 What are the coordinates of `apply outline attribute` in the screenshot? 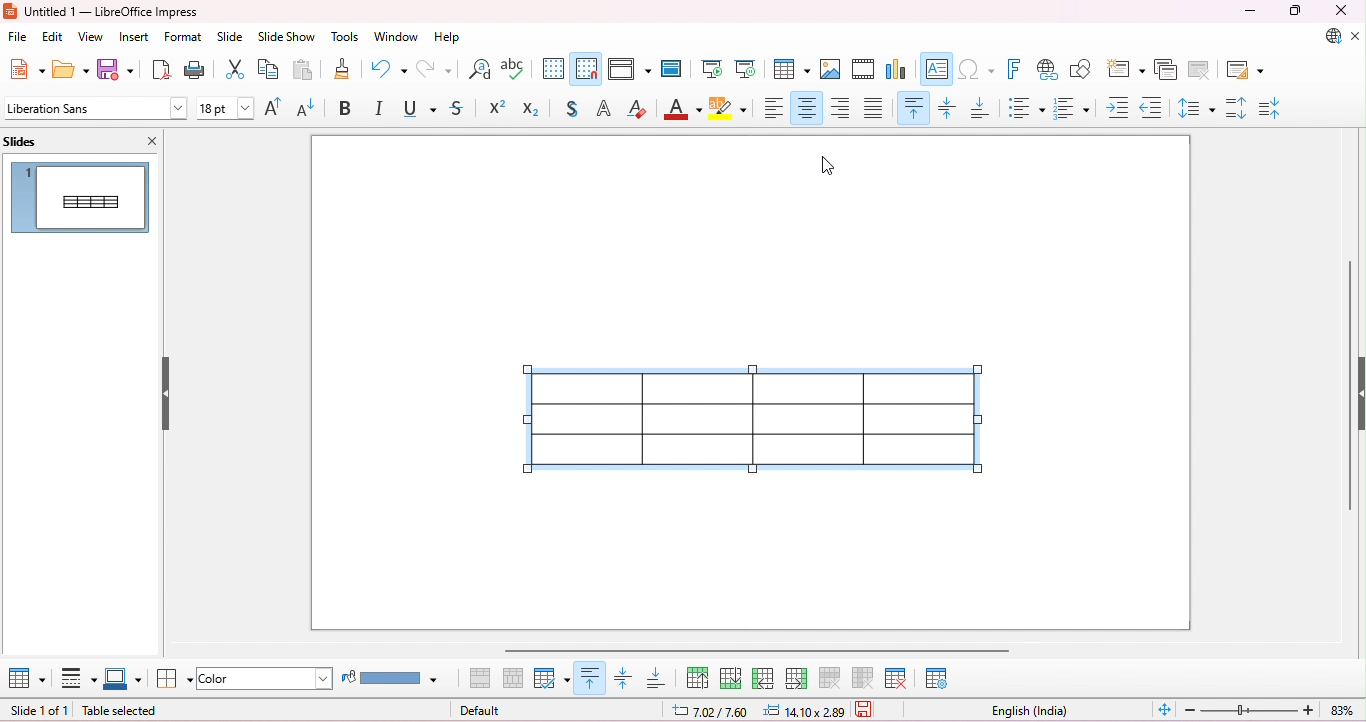 It's located at (603, 108).